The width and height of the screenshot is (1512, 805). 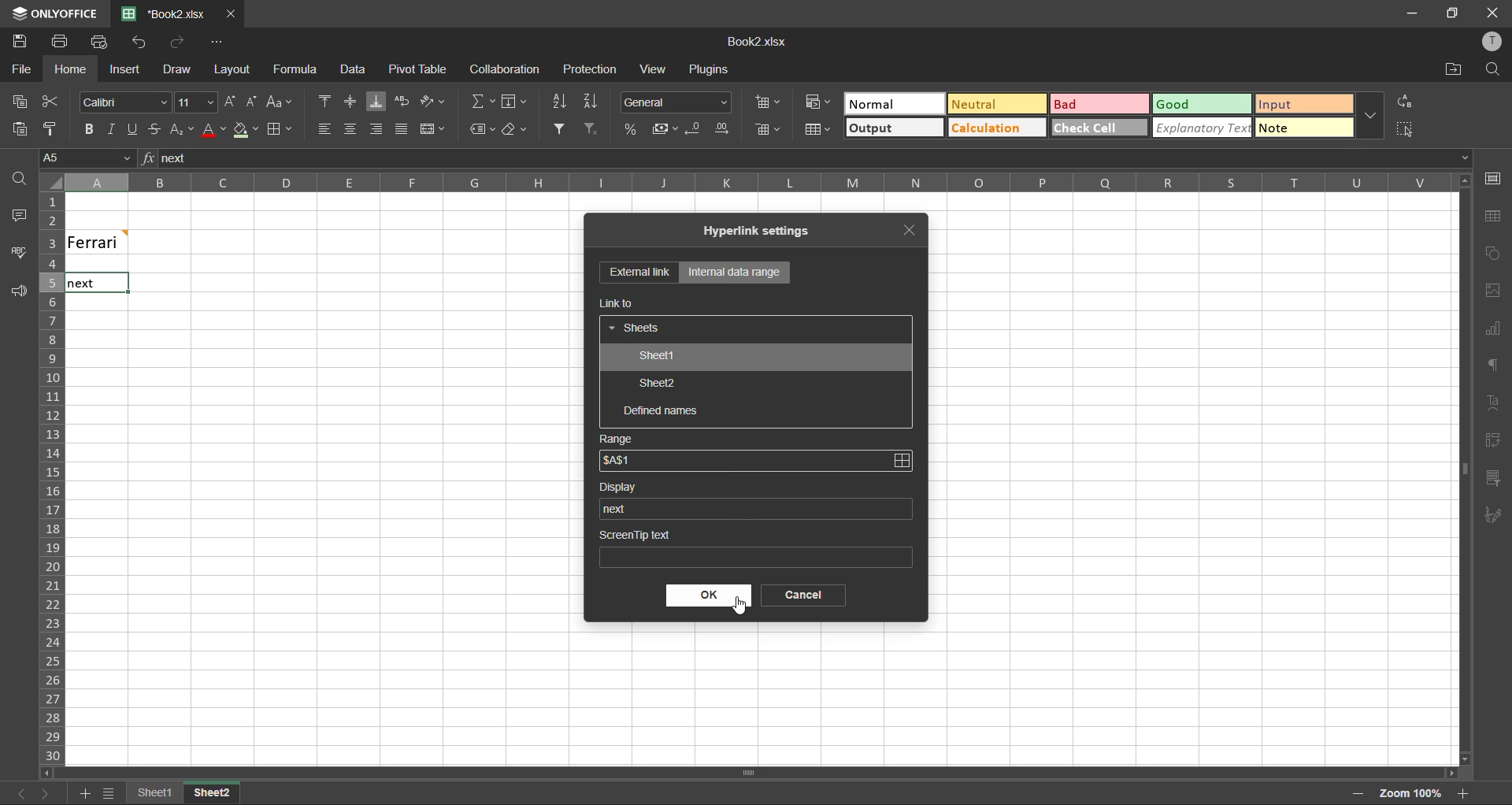 What do you see at coordinates (1492, 329) in the screenshot?
I see `charts` at bounding box center [1492, 329].